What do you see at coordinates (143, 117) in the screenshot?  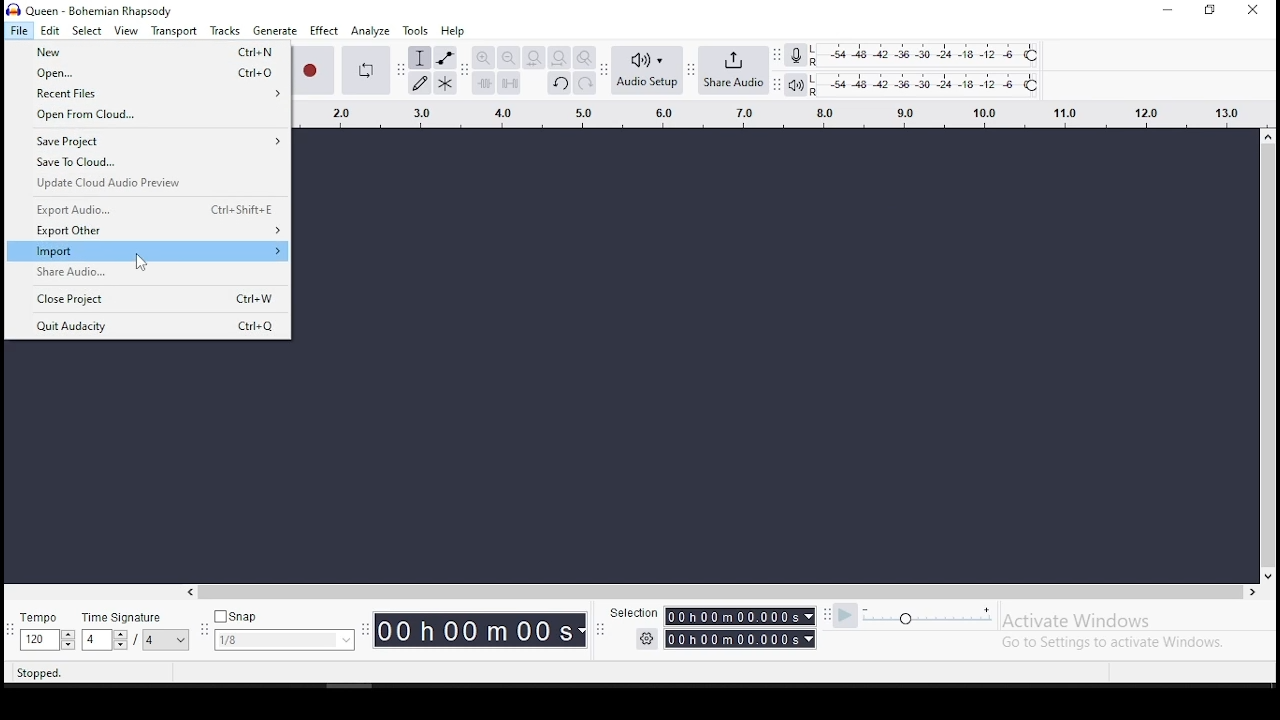 I see `open from cloud` at bounding box center [143, 117].